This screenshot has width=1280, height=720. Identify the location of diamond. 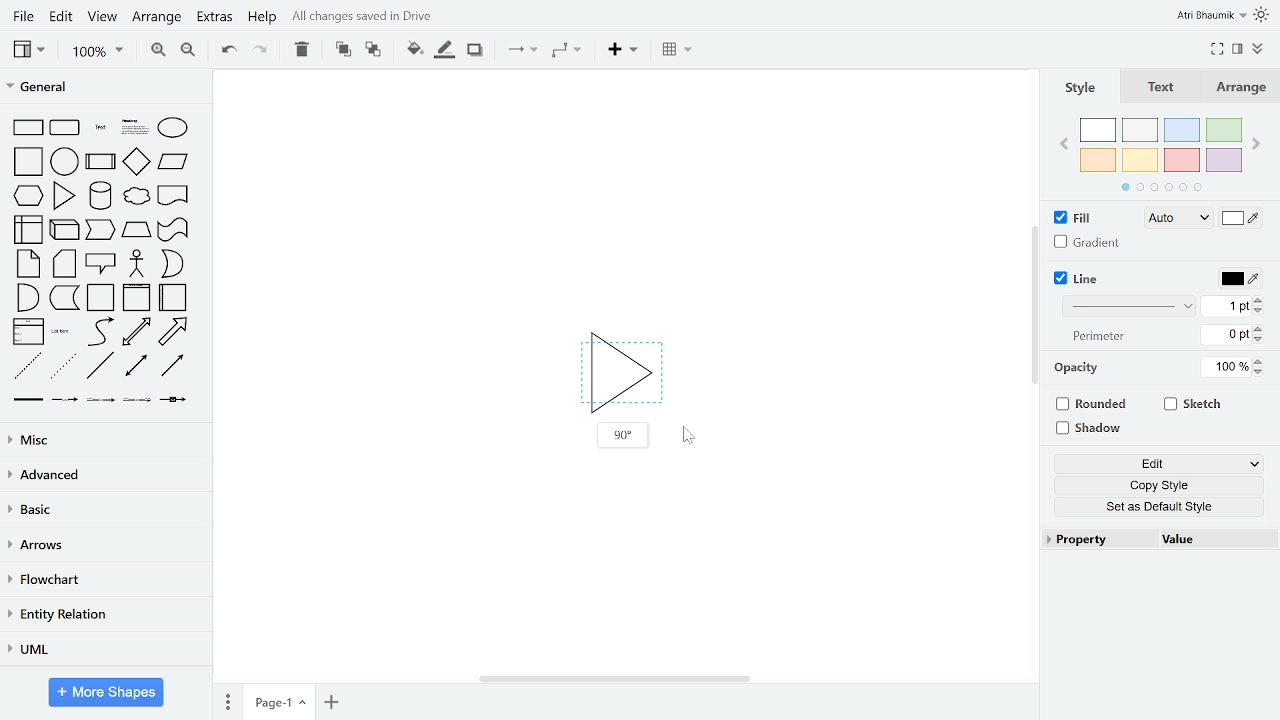
(136, 162).